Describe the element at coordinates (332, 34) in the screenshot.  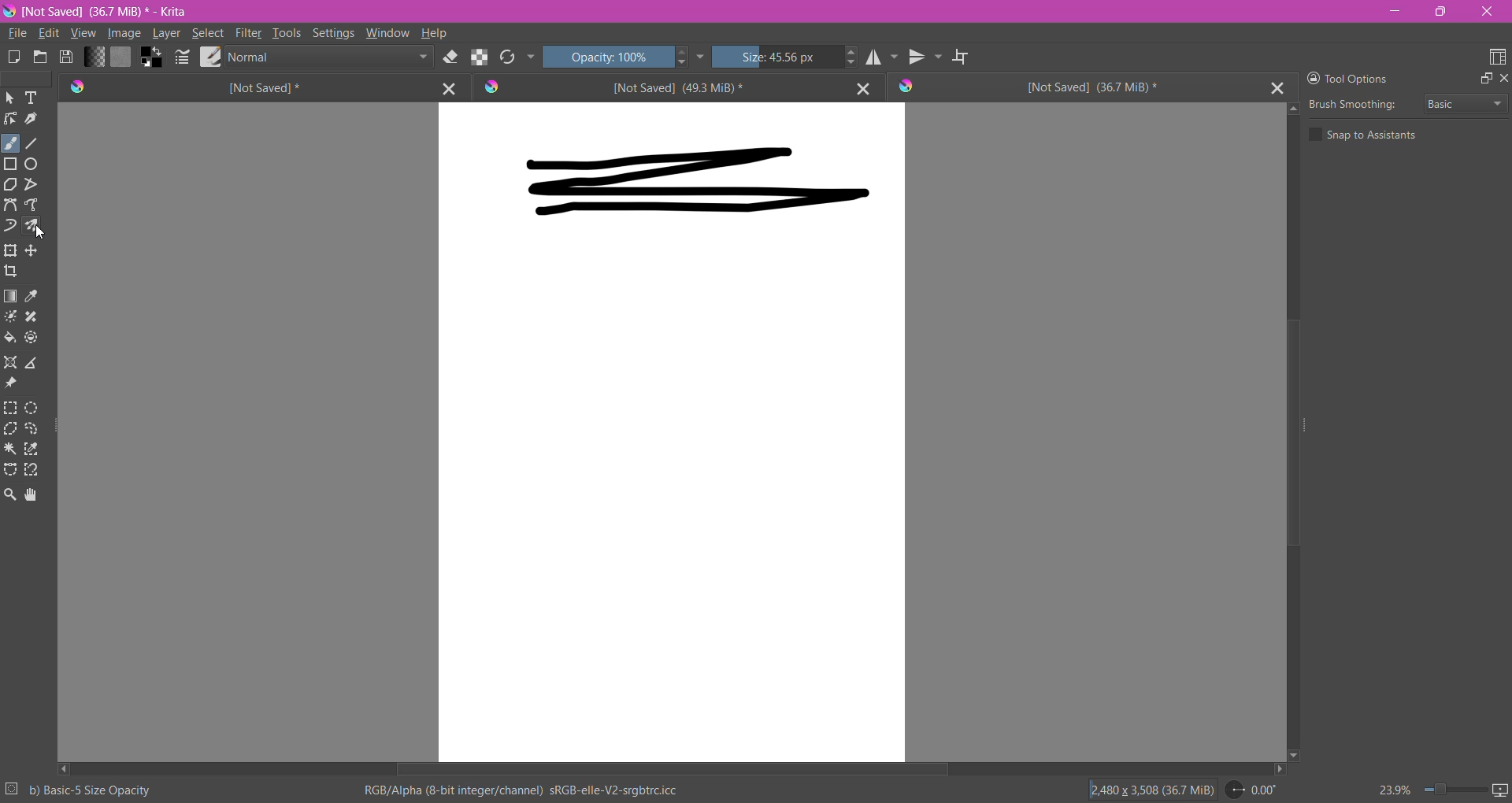
I see `` at that location.